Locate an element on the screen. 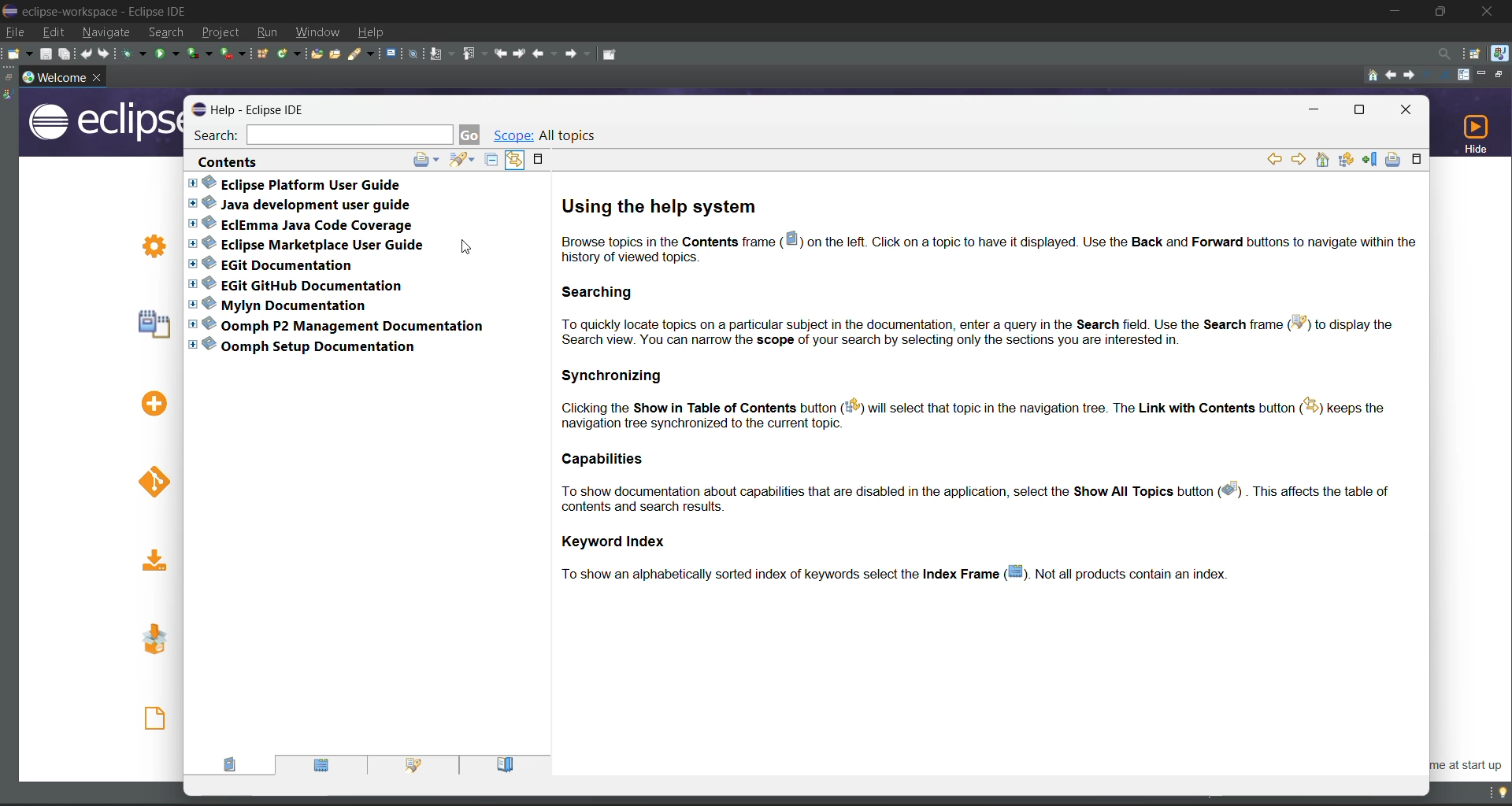 The width and height of the screenshot is (1512, 806). bookmarks is located at coordinates (505, 764).